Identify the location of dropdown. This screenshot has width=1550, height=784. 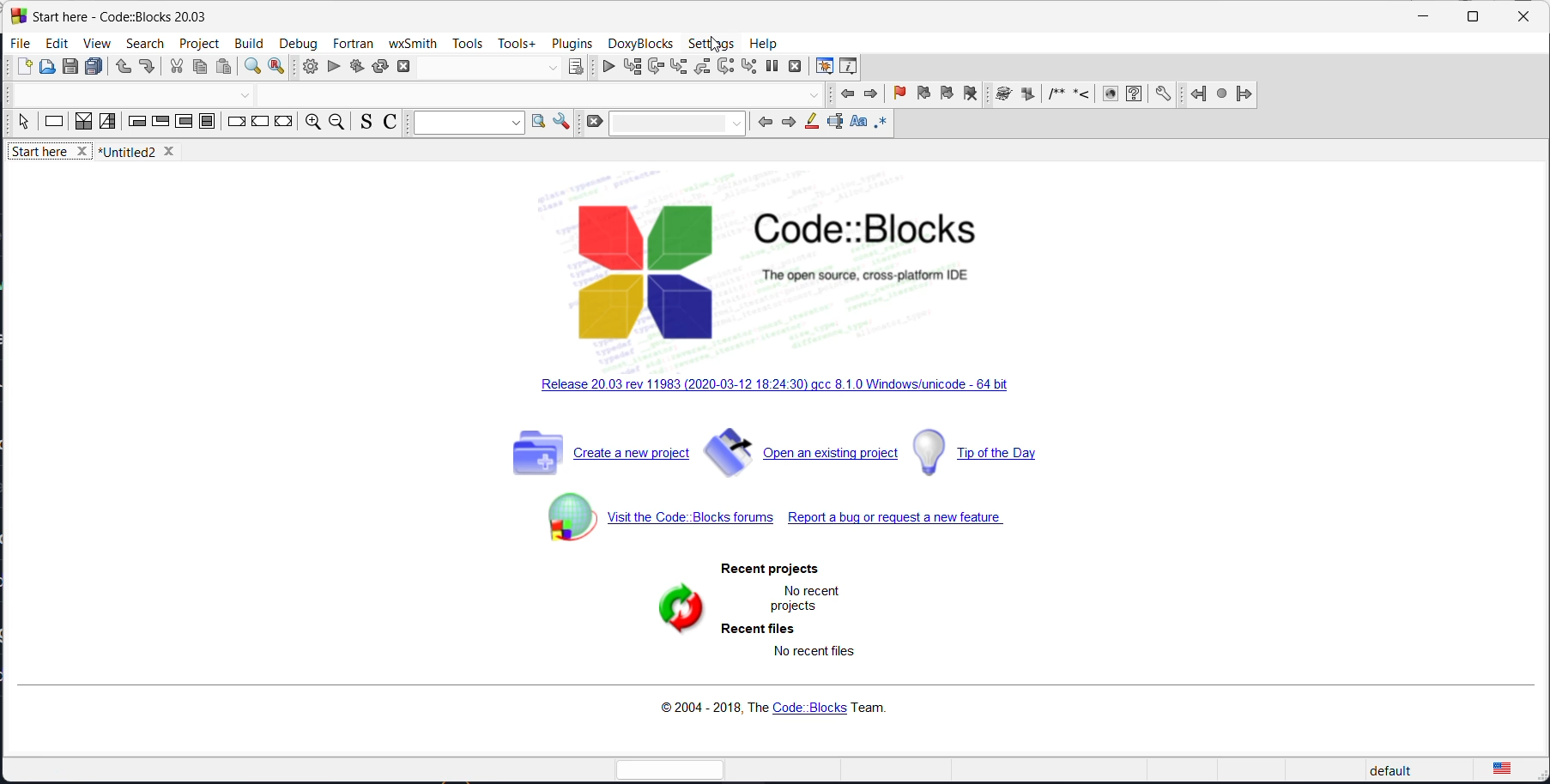
(245, 97).